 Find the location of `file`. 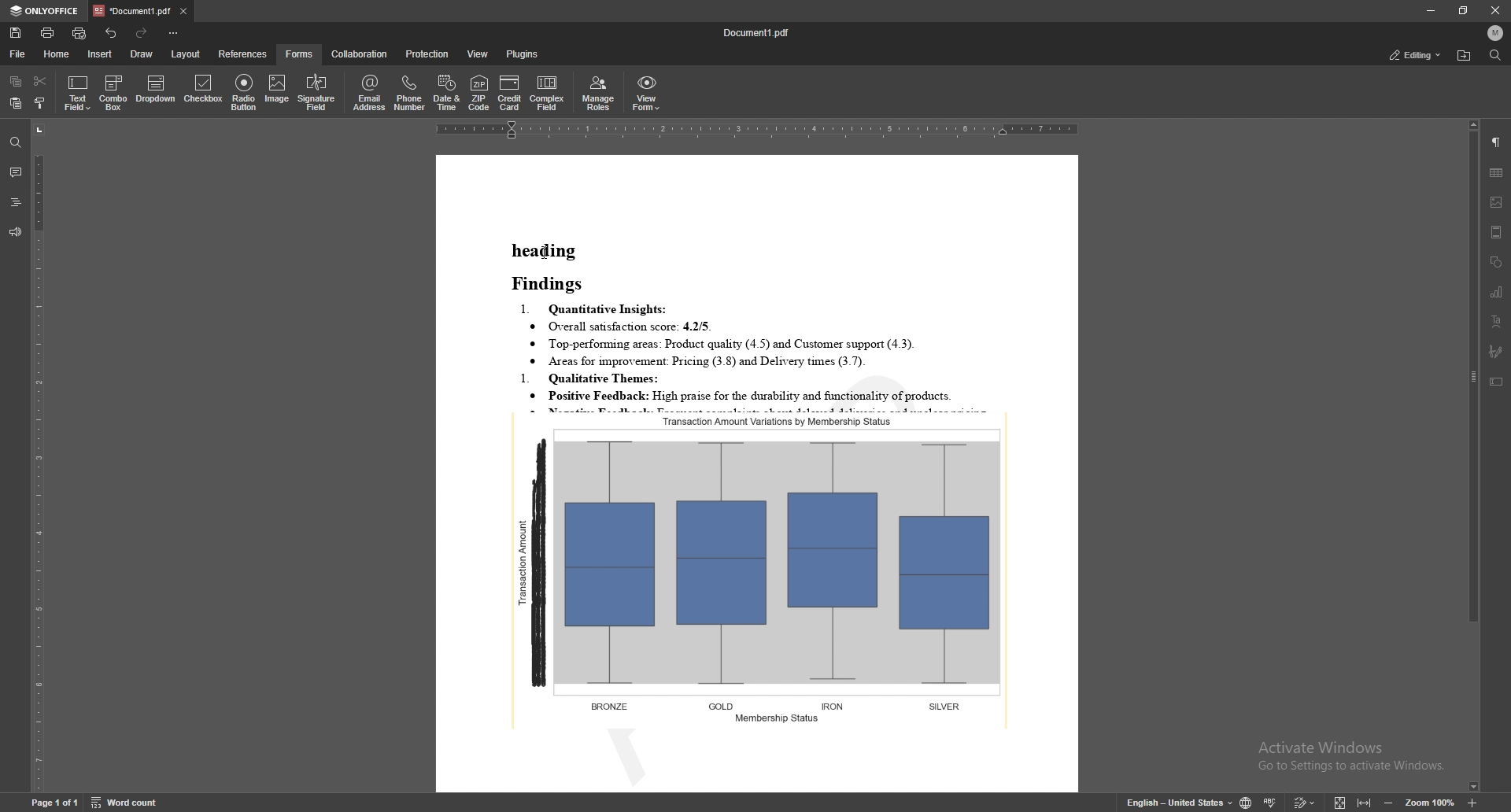

file is located at coordinates (18, 54).